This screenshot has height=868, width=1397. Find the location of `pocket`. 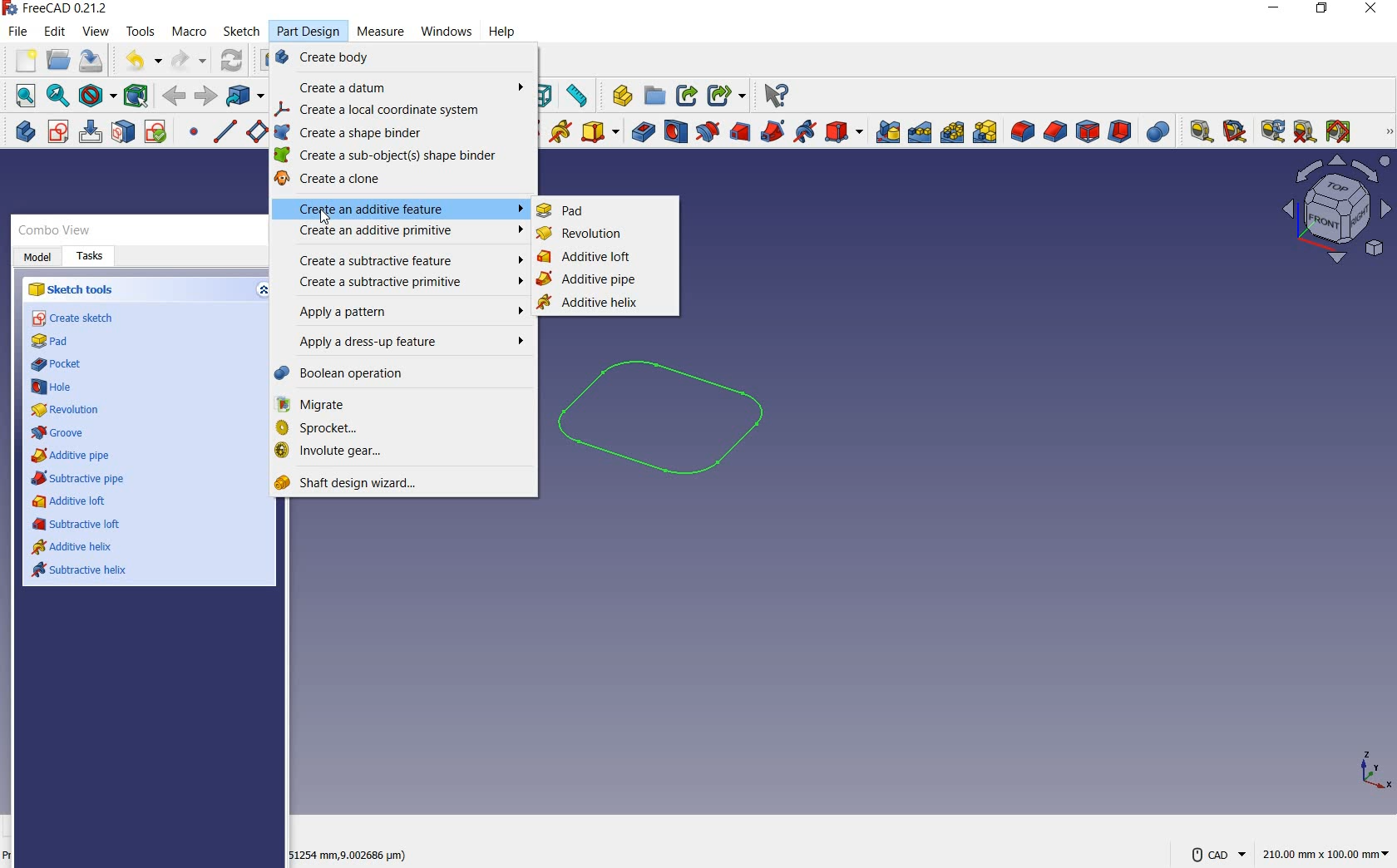

pocket is located at coordinates (641, 131).